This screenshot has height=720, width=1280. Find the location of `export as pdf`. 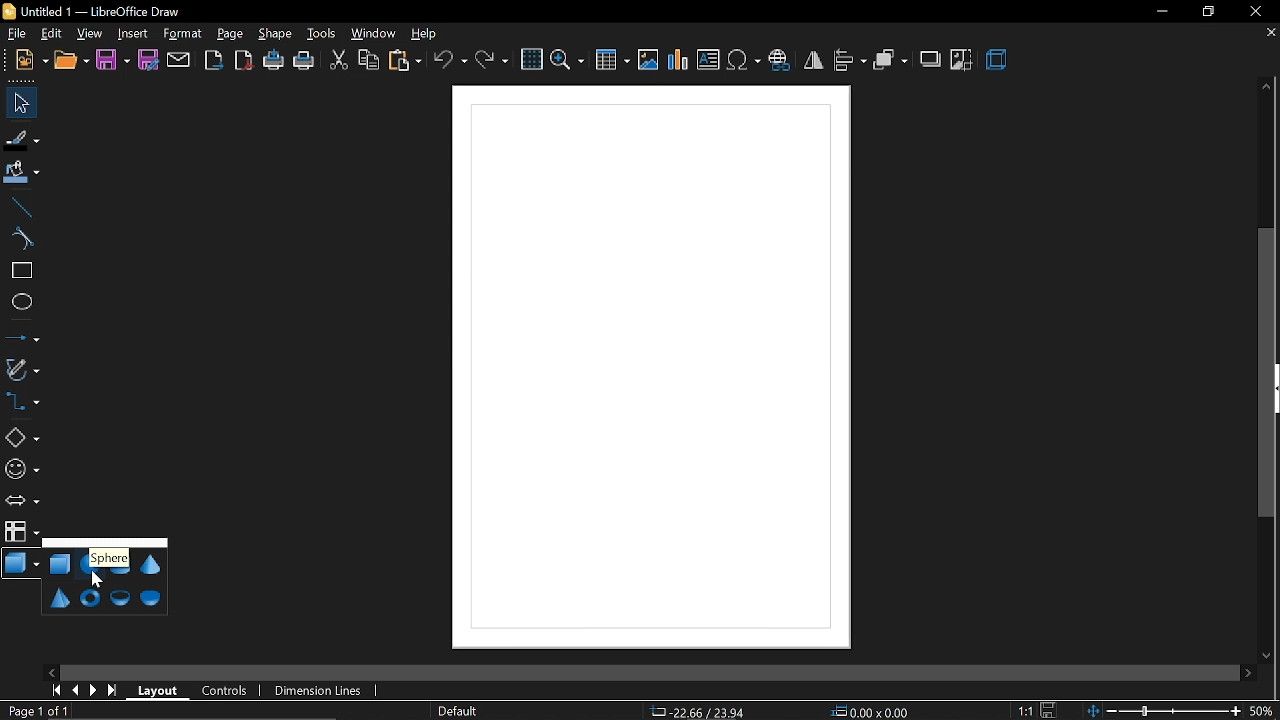

export as pdf is located at coordinates (242, 61).